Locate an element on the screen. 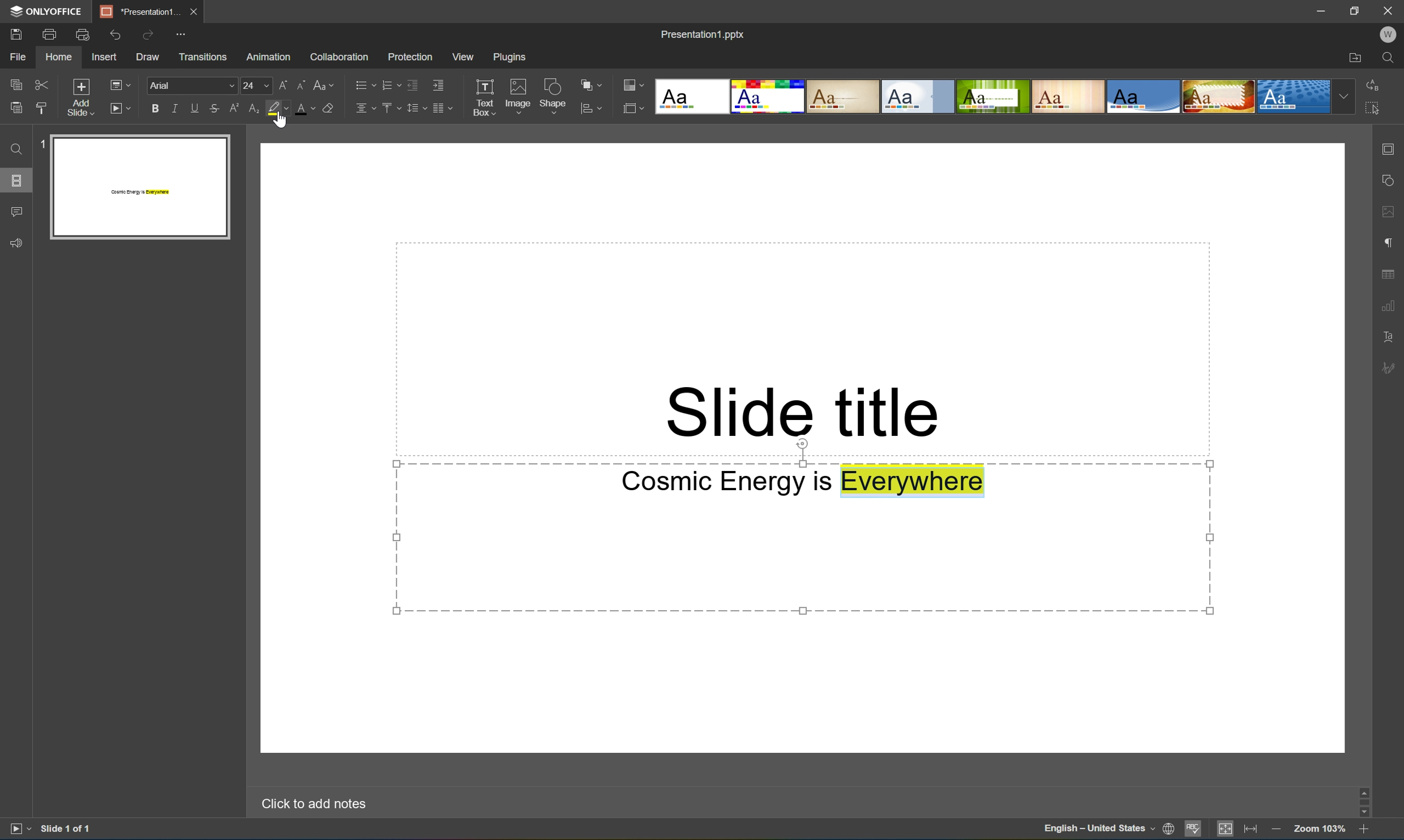  Customize Quick Access Toolbar is located at coordinates (179, 35).